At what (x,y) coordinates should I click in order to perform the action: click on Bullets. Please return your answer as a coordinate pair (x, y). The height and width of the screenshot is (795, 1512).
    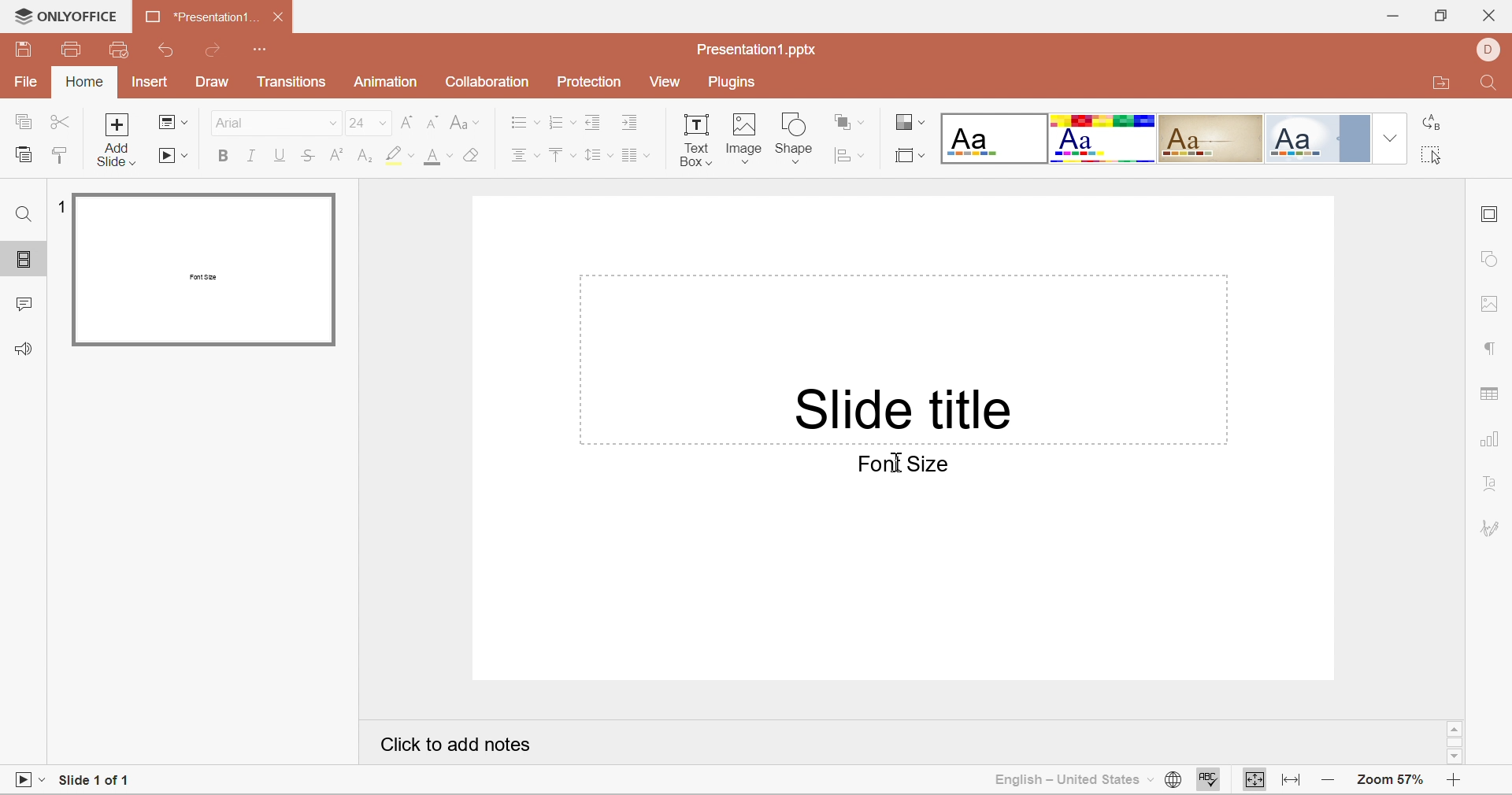
    Looking at the image, I should click on (524, 122).